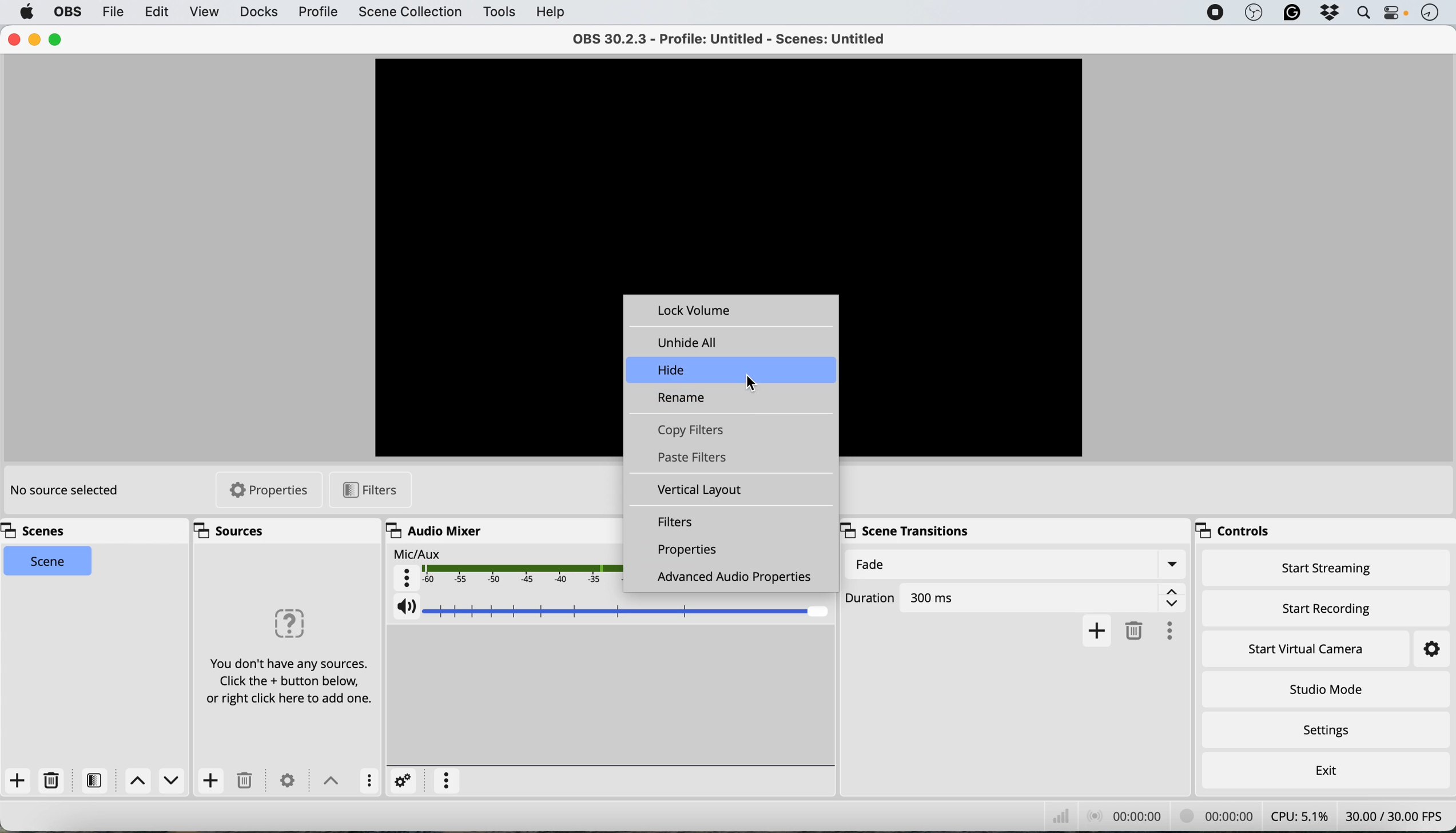 The width and height of the screenshot is (1456, 833). Describe the element at coordinates (1214, 11) in the screenshot. I see `screen recorder` at that location.